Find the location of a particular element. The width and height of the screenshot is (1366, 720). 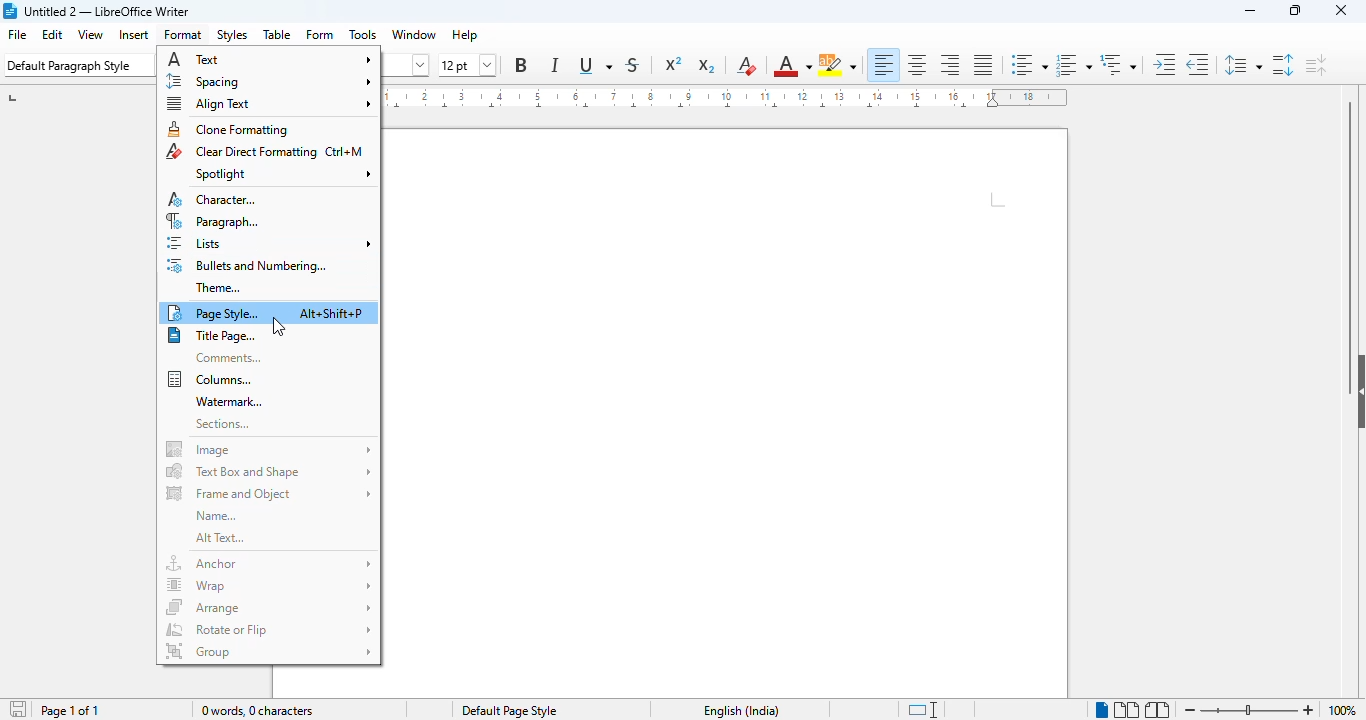

decrease paragraph spacing is located at coordinates (1316, 64).